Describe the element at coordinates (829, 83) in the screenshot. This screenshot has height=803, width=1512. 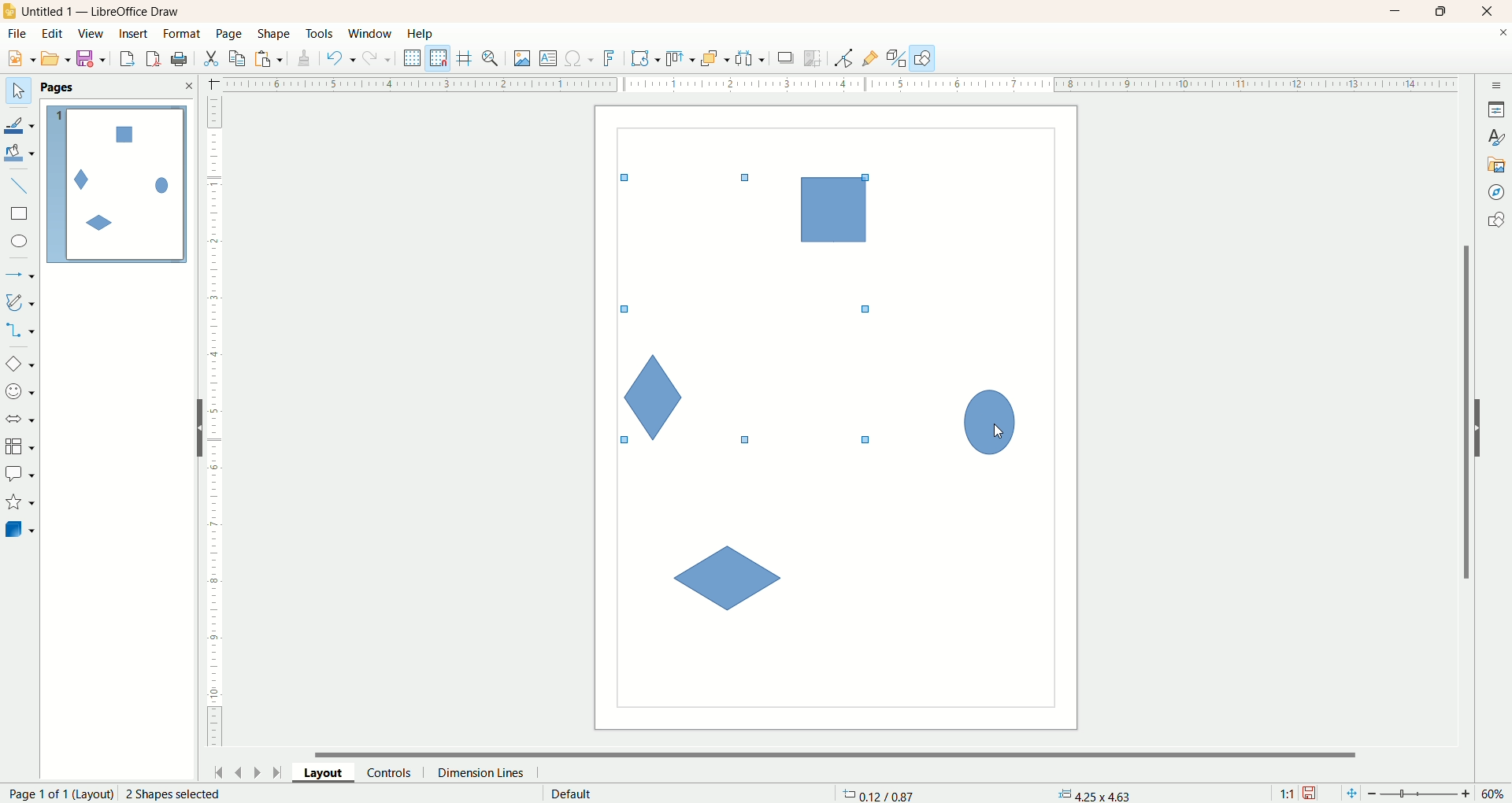
I see `scale bar` at that location.